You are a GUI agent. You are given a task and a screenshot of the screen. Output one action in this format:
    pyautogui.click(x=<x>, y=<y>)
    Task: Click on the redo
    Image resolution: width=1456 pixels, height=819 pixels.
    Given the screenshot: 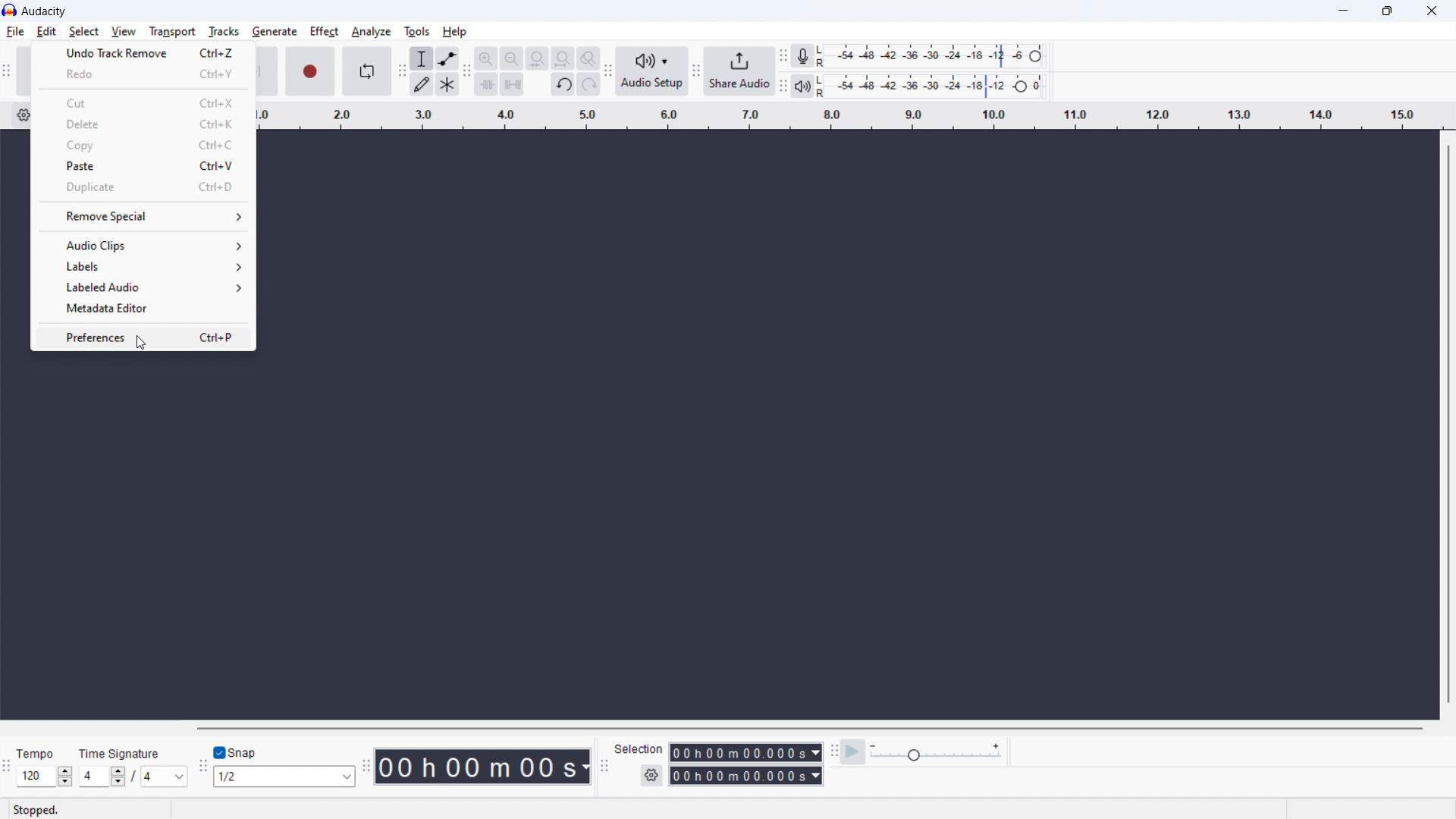 What is the action you would take?
    pyautogui.click(x=142, y=74)
    